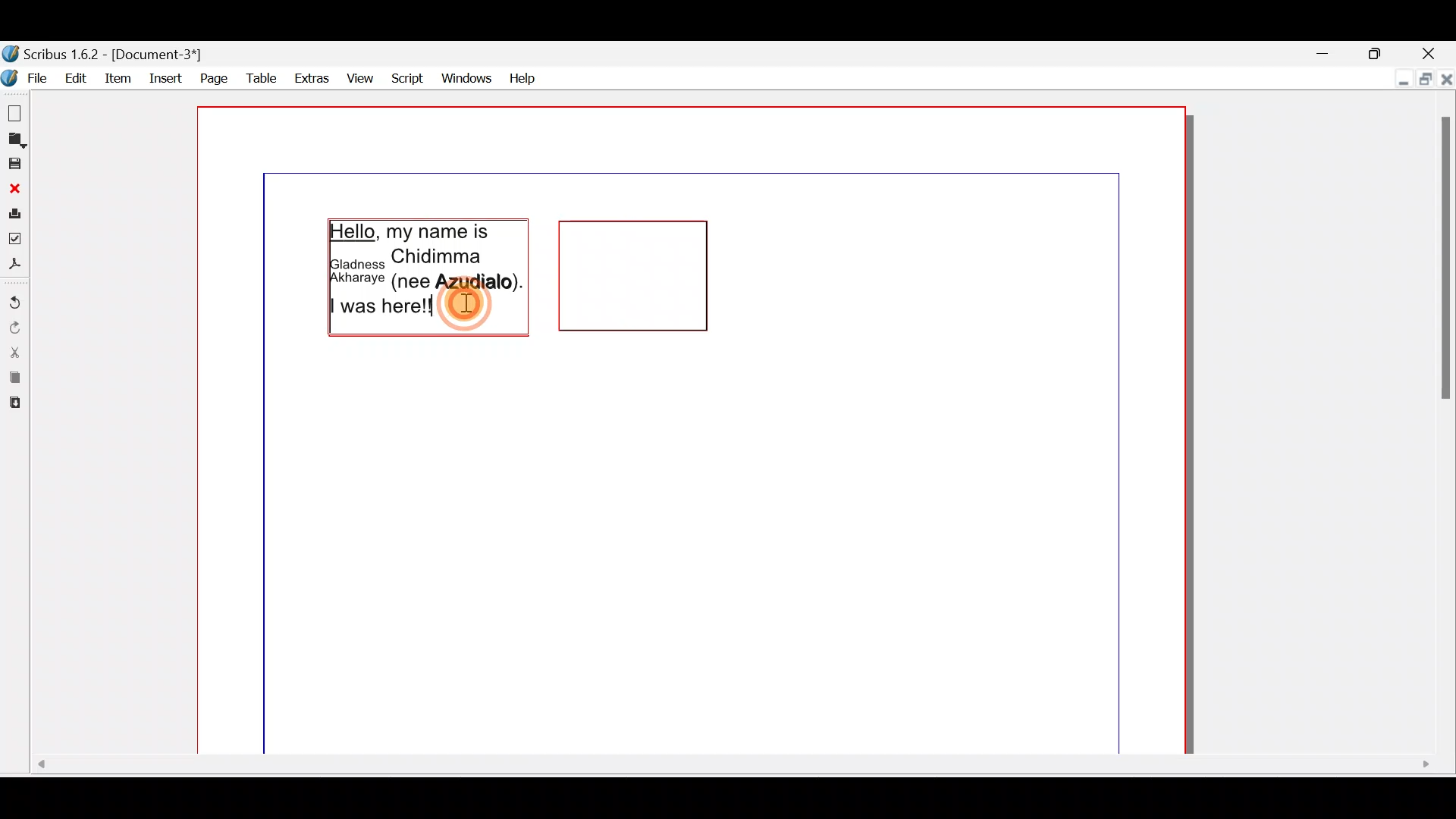 The height and width of the screenshot is (819, 1456). I want to click on item, so click(119, 78).